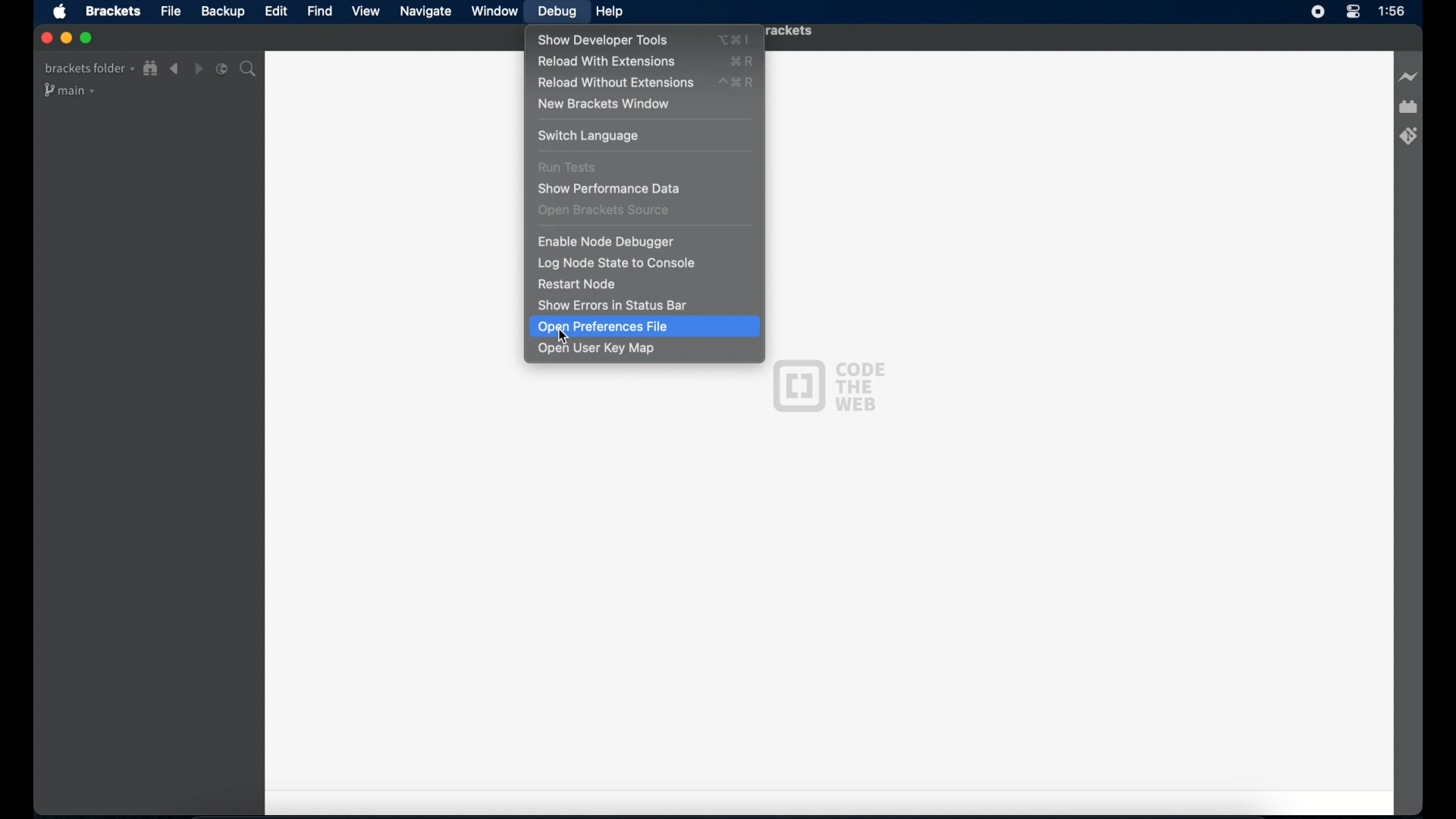 This screenshot has width=1456, height=819. I want to click on help, so click(610, 12).